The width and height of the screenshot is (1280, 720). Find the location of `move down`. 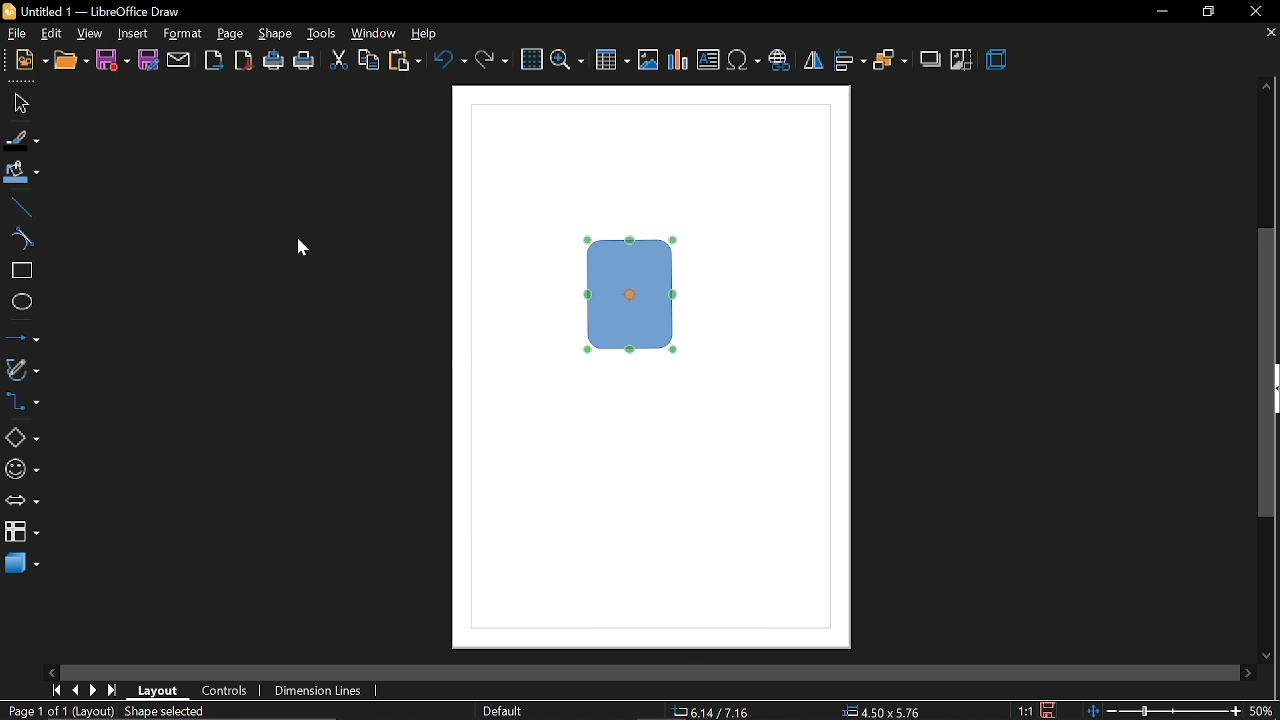

move down is located at coordinates (1269, 654).